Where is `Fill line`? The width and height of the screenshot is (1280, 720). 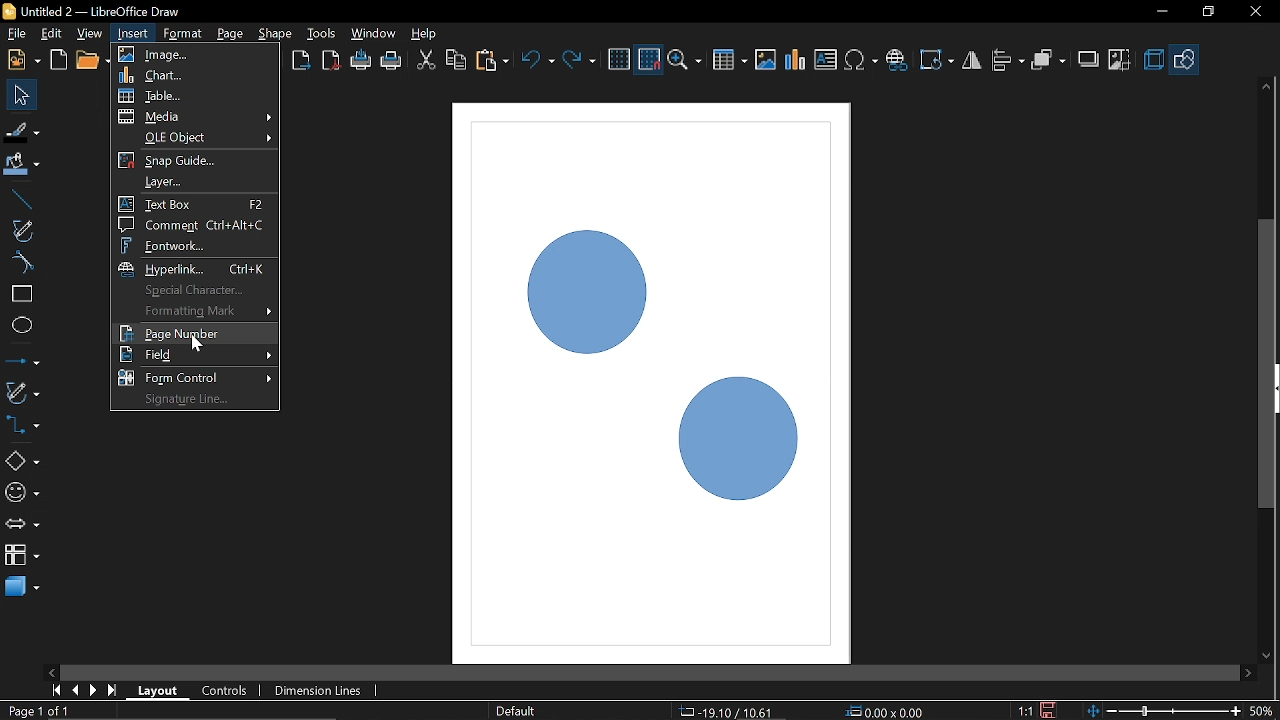 Fill line is located at coordinates (22, 132).